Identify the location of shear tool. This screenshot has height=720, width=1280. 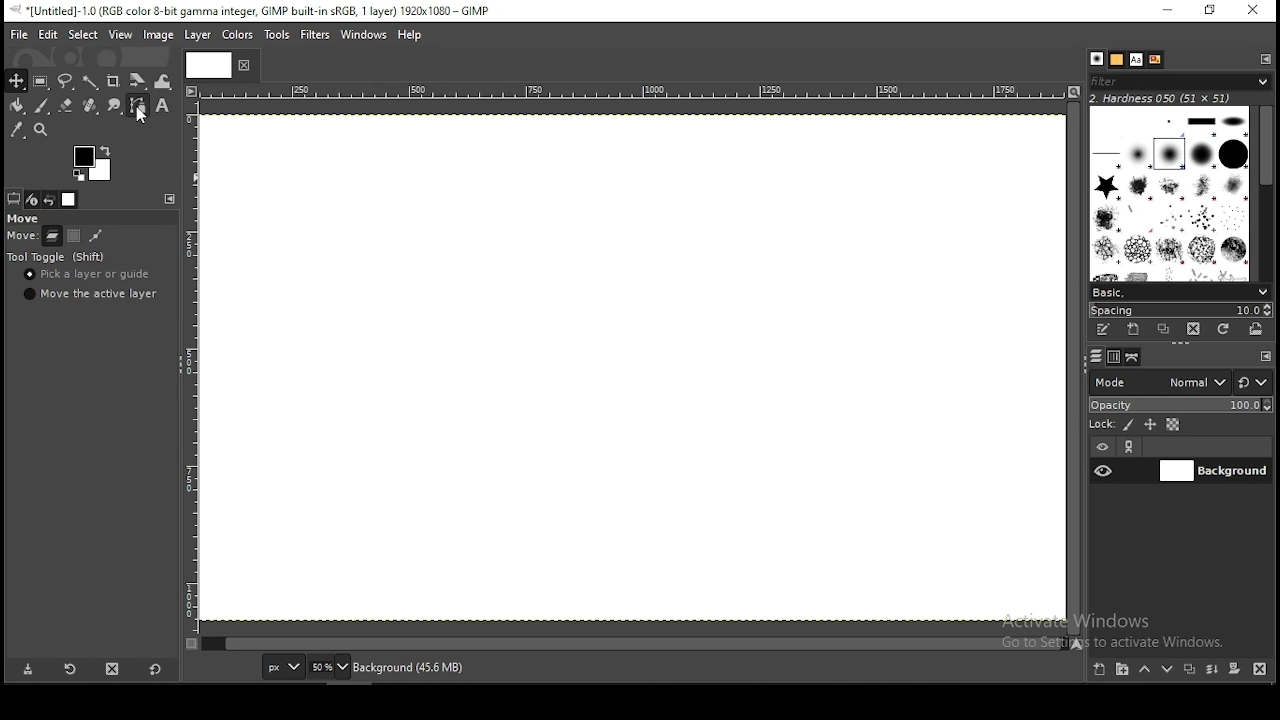
(138, 81).